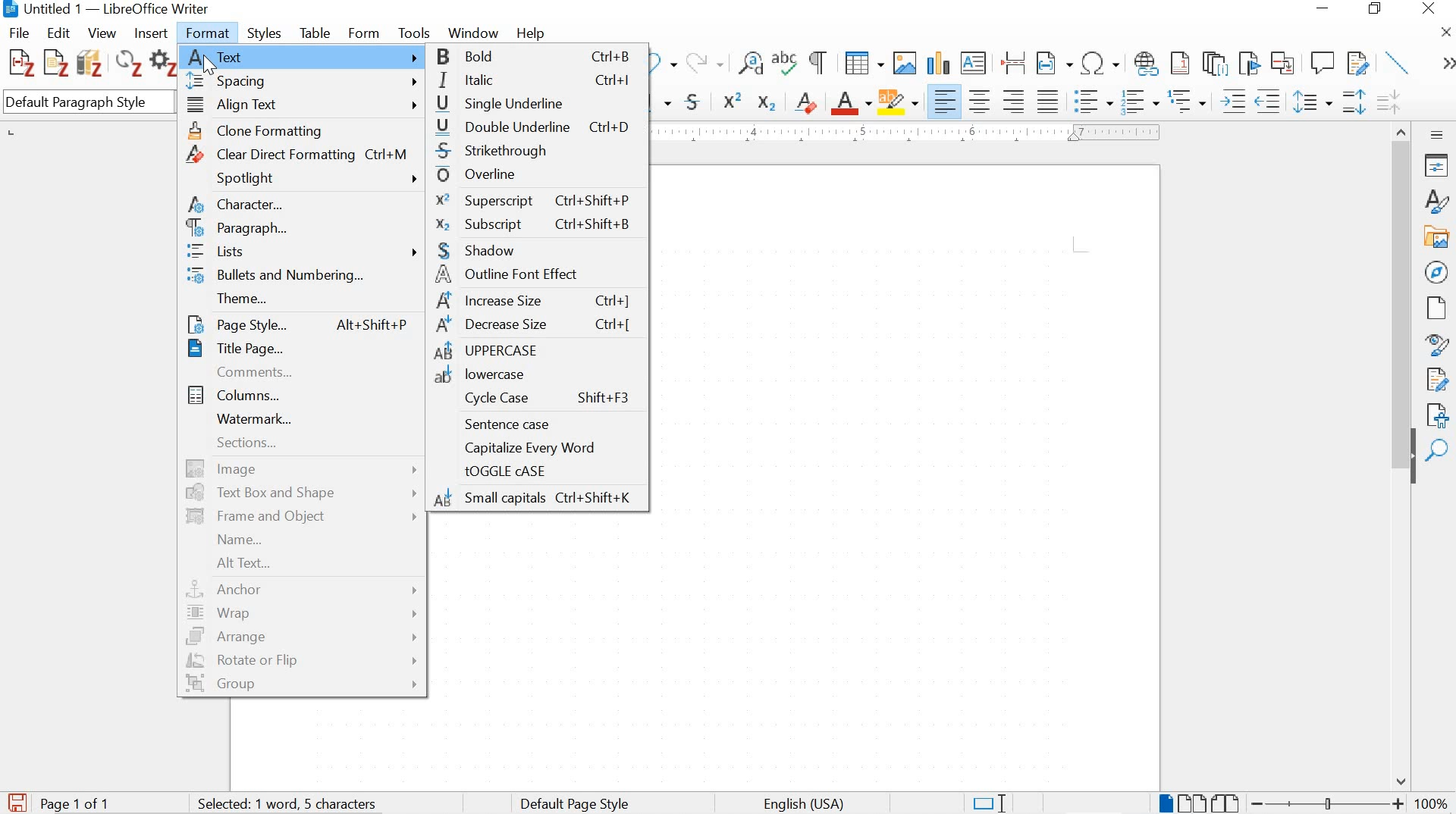  What do you see at coordinates (127, 65) in the screenshot?
I see `refresh` at bounding box center [127, 65].